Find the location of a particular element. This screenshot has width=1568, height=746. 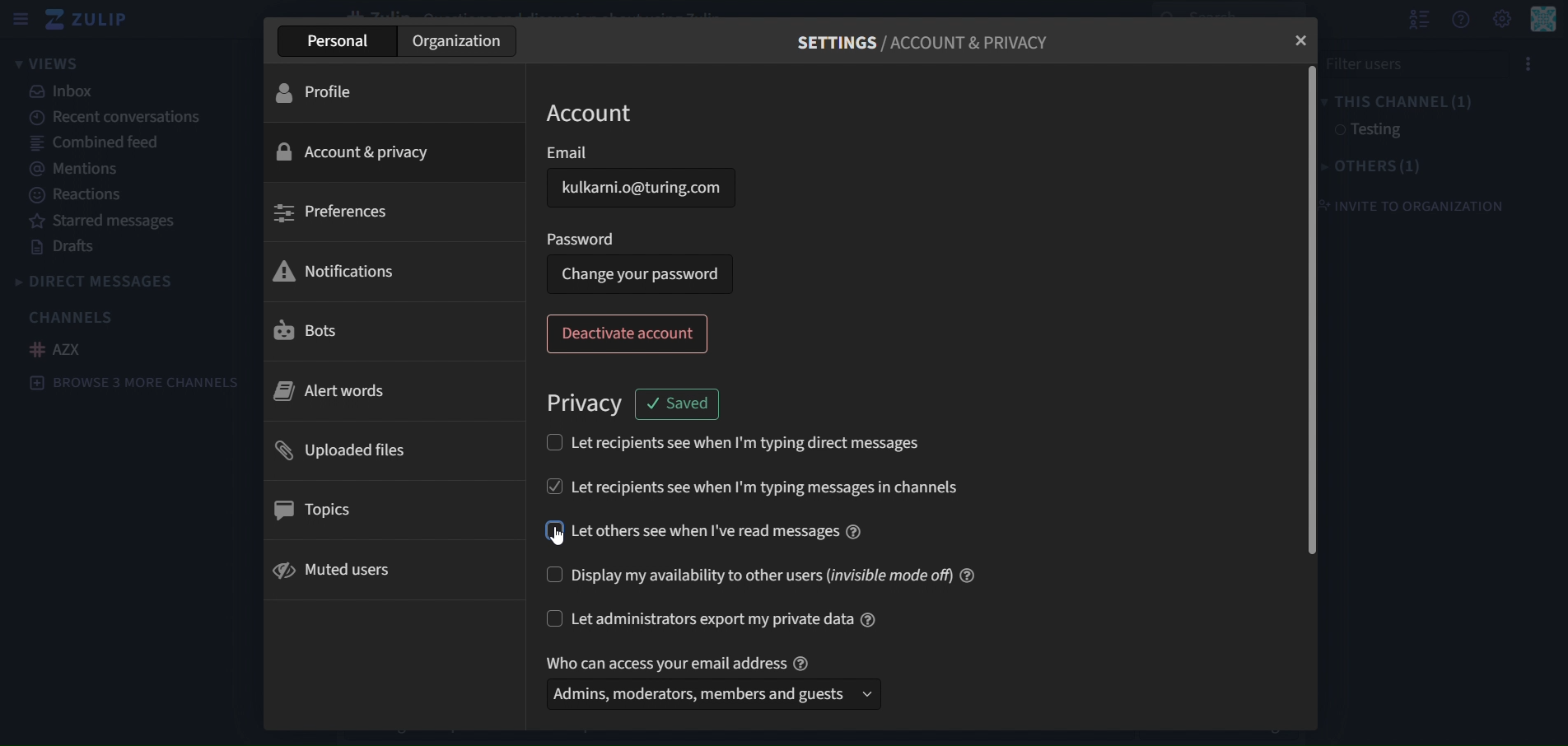

preferences is located at coordinates (344, 212).